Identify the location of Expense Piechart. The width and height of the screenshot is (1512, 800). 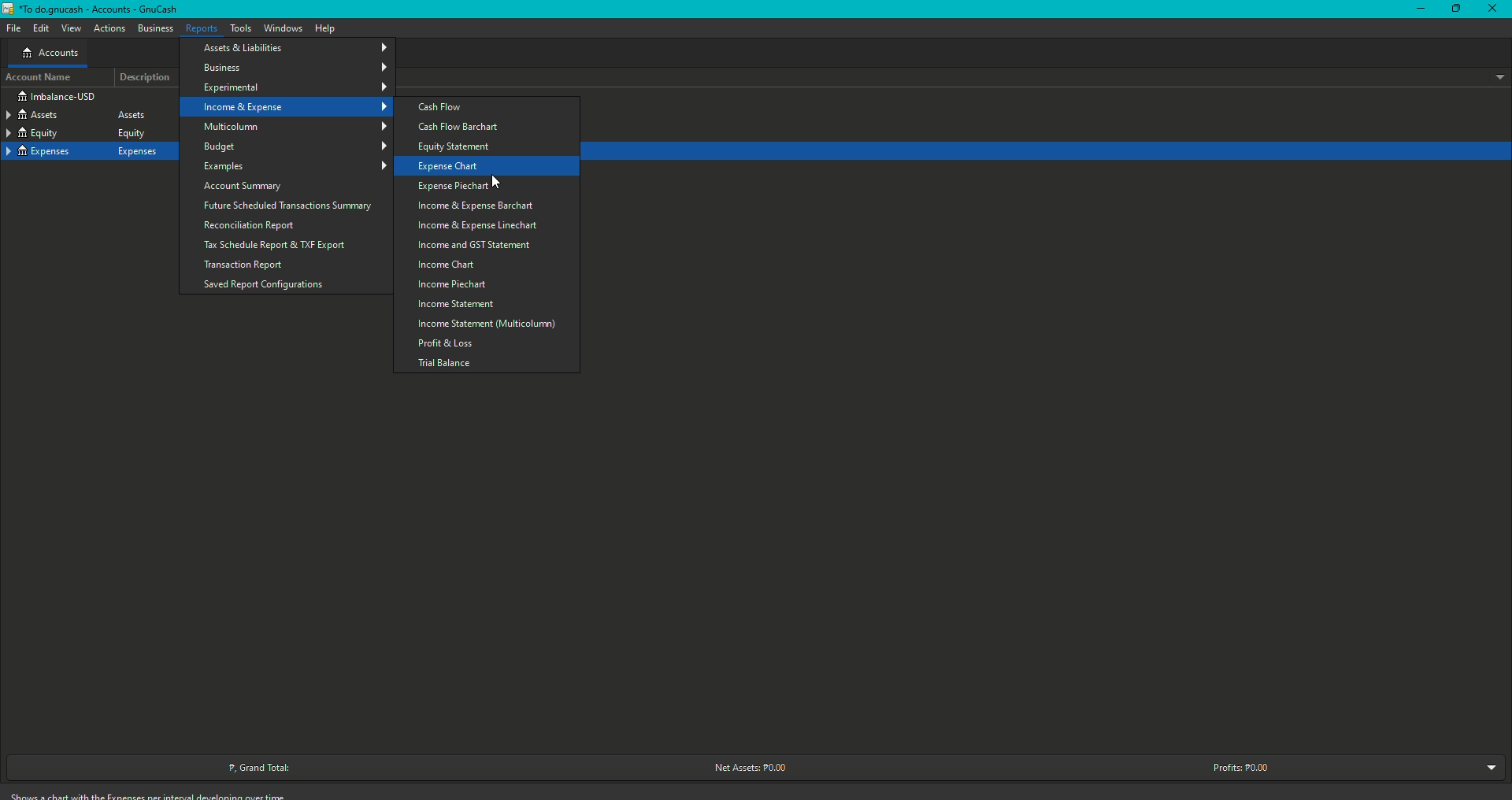
(452, 187).